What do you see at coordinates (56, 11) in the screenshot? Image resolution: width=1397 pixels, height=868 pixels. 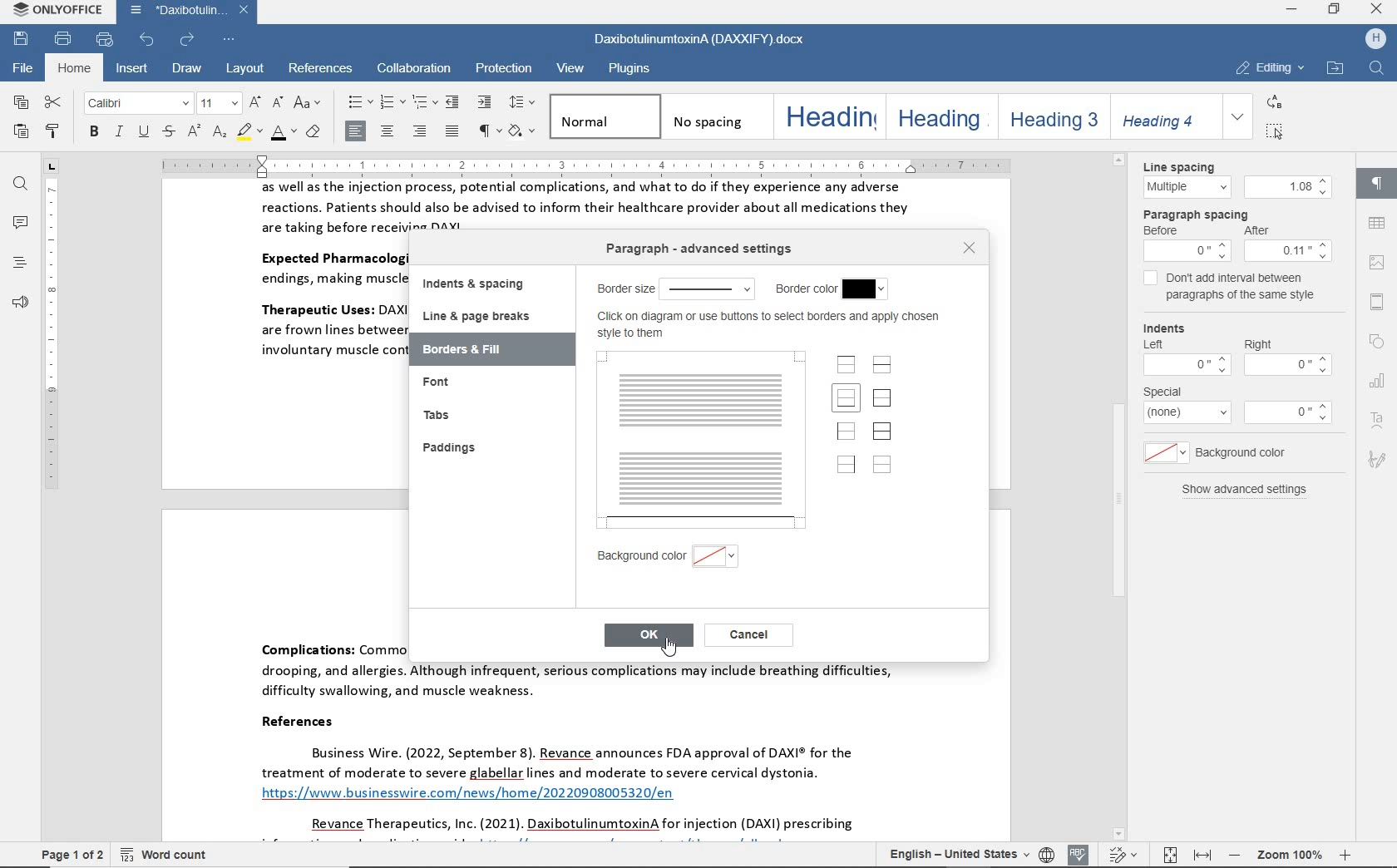 I see `system name` at bounding box center [56, 11].